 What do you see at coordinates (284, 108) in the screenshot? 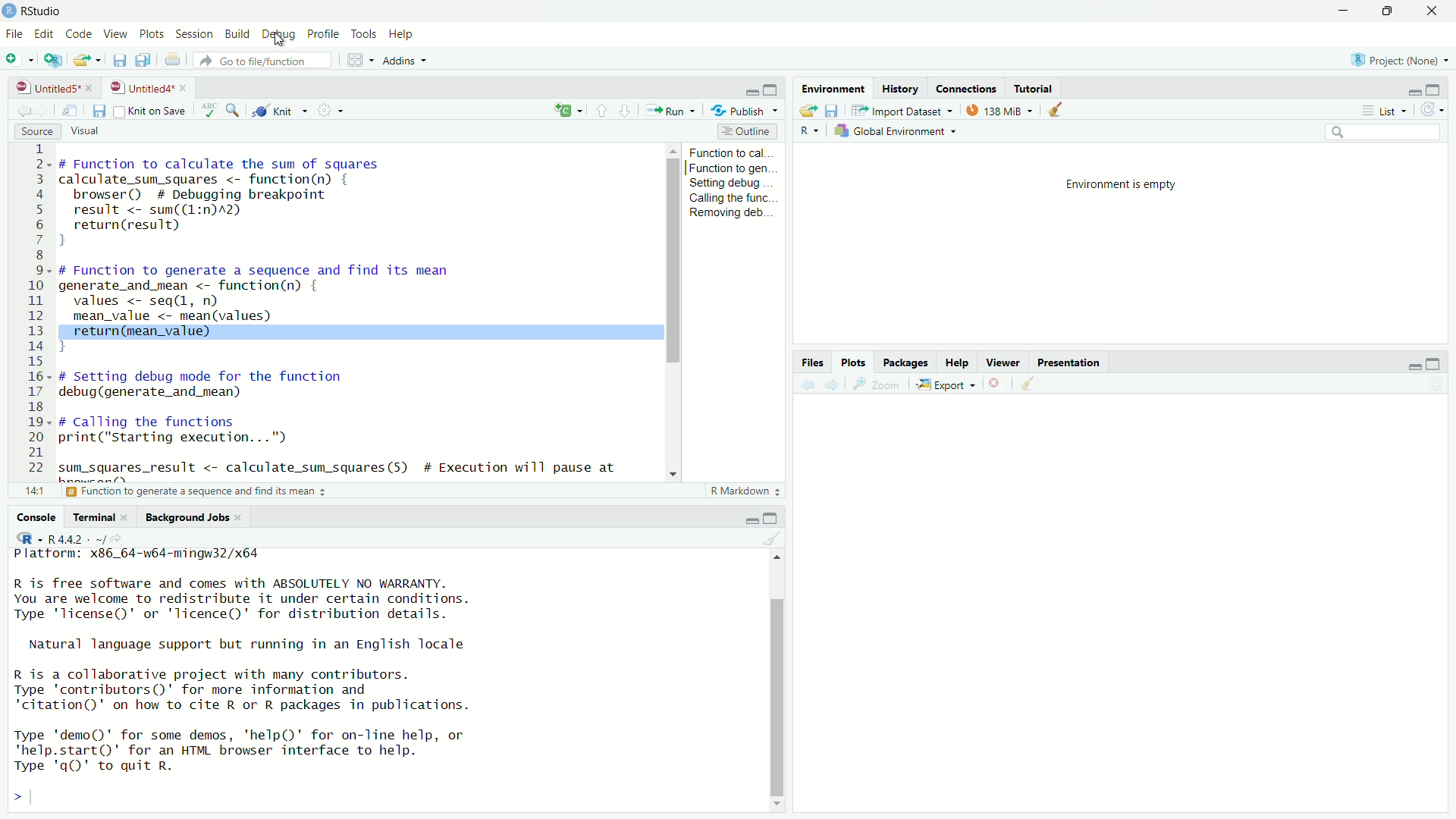
I see `knit` at bounding box center [284, 108].